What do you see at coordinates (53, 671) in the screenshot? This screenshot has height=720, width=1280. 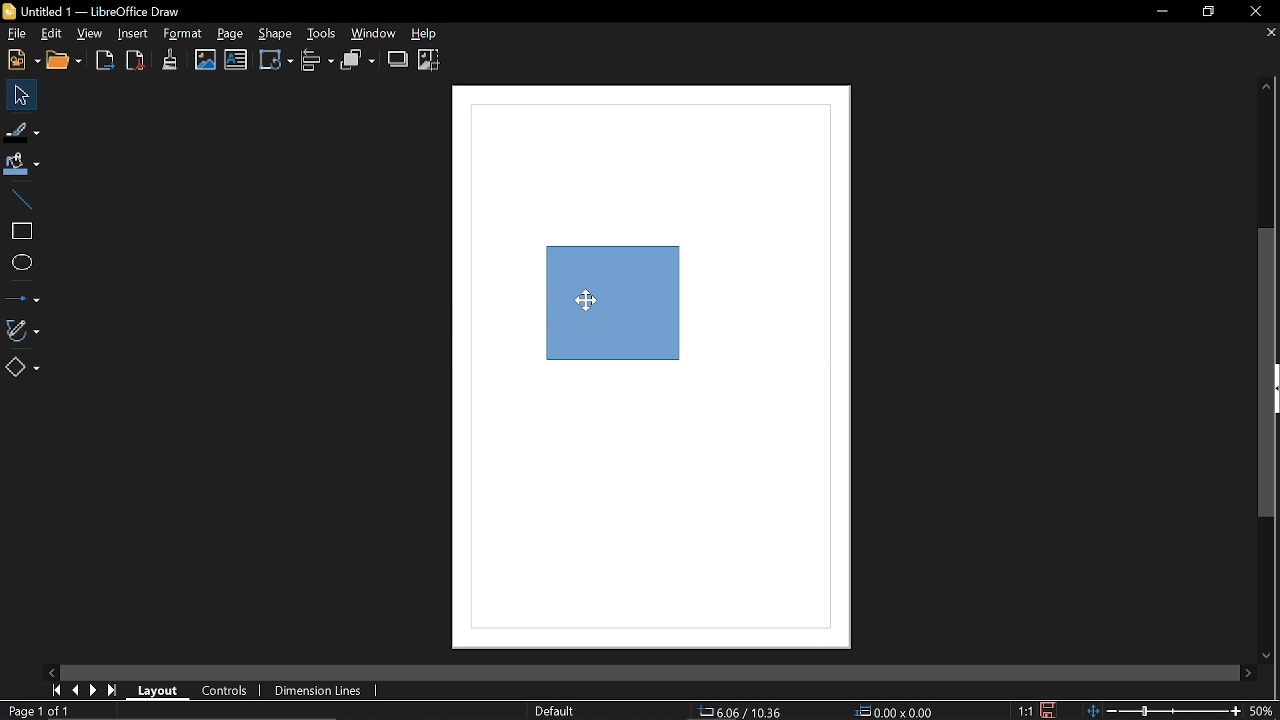 I see `Move left` at bounding box center [53, 671].